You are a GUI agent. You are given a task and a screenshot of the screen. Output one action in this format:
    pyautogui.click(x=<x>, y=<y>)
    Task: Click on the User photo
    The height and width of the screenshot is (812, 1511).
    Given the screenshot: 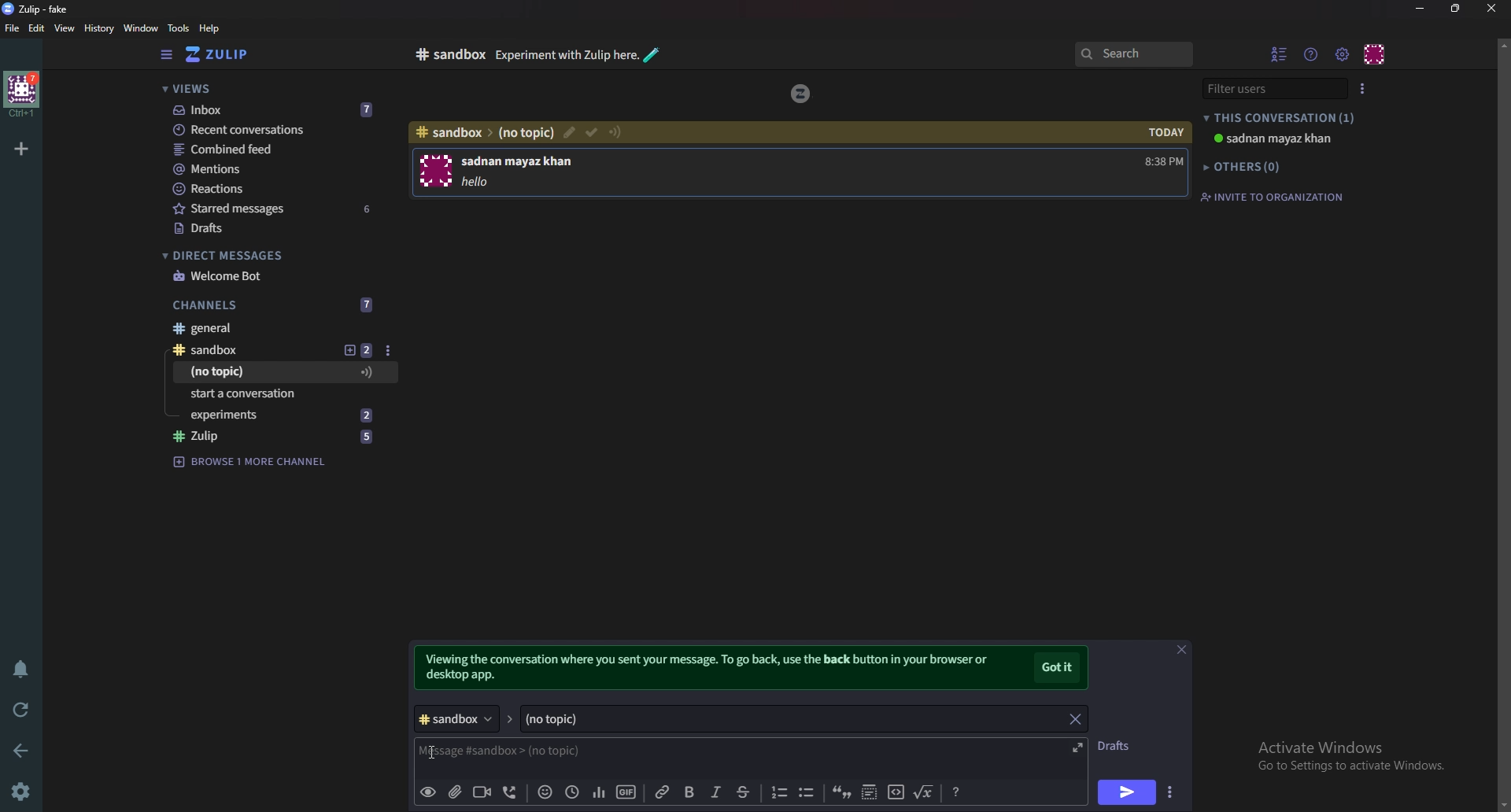 What is the action you would take?
    pyautogui.click(x=433, y=172)
    